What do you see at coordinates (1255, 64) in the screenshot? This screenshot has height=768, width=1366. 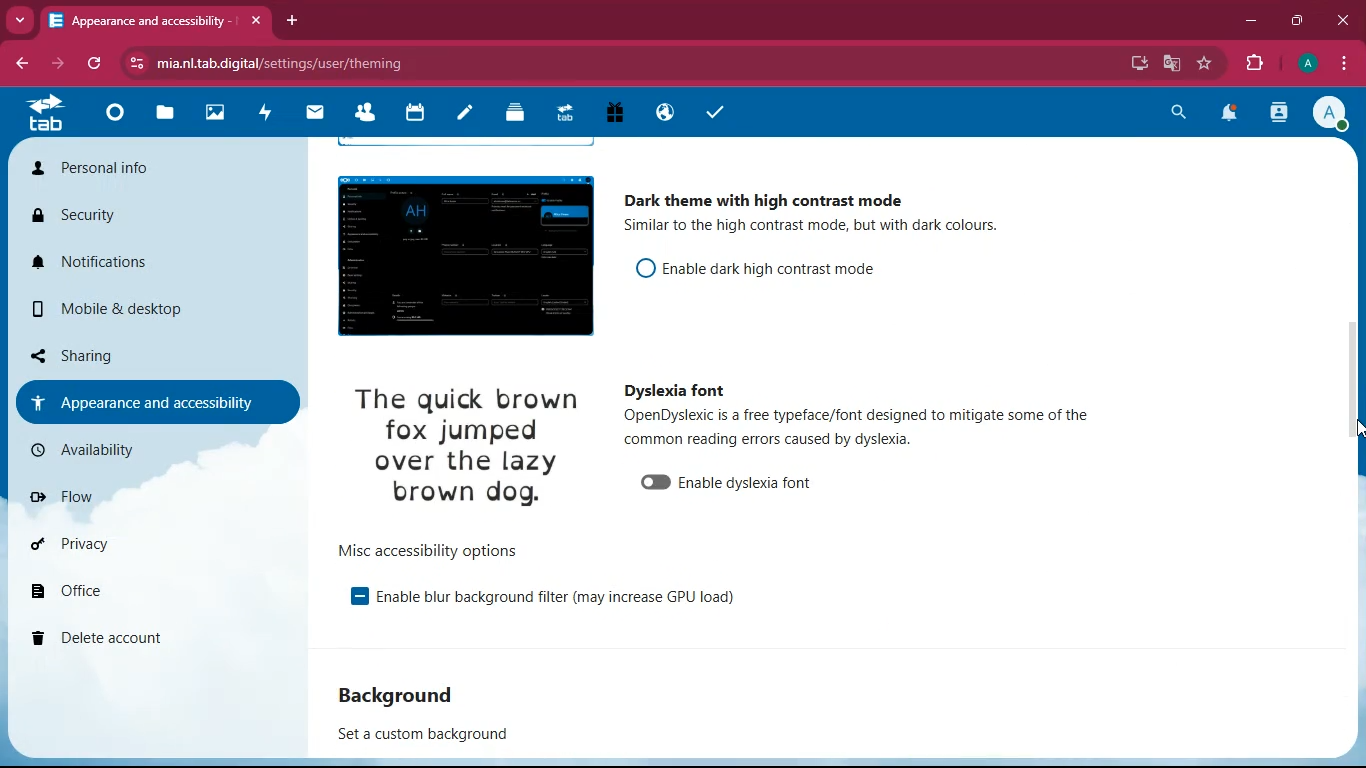 I see `extensions` at bounding box center [1255, 64].